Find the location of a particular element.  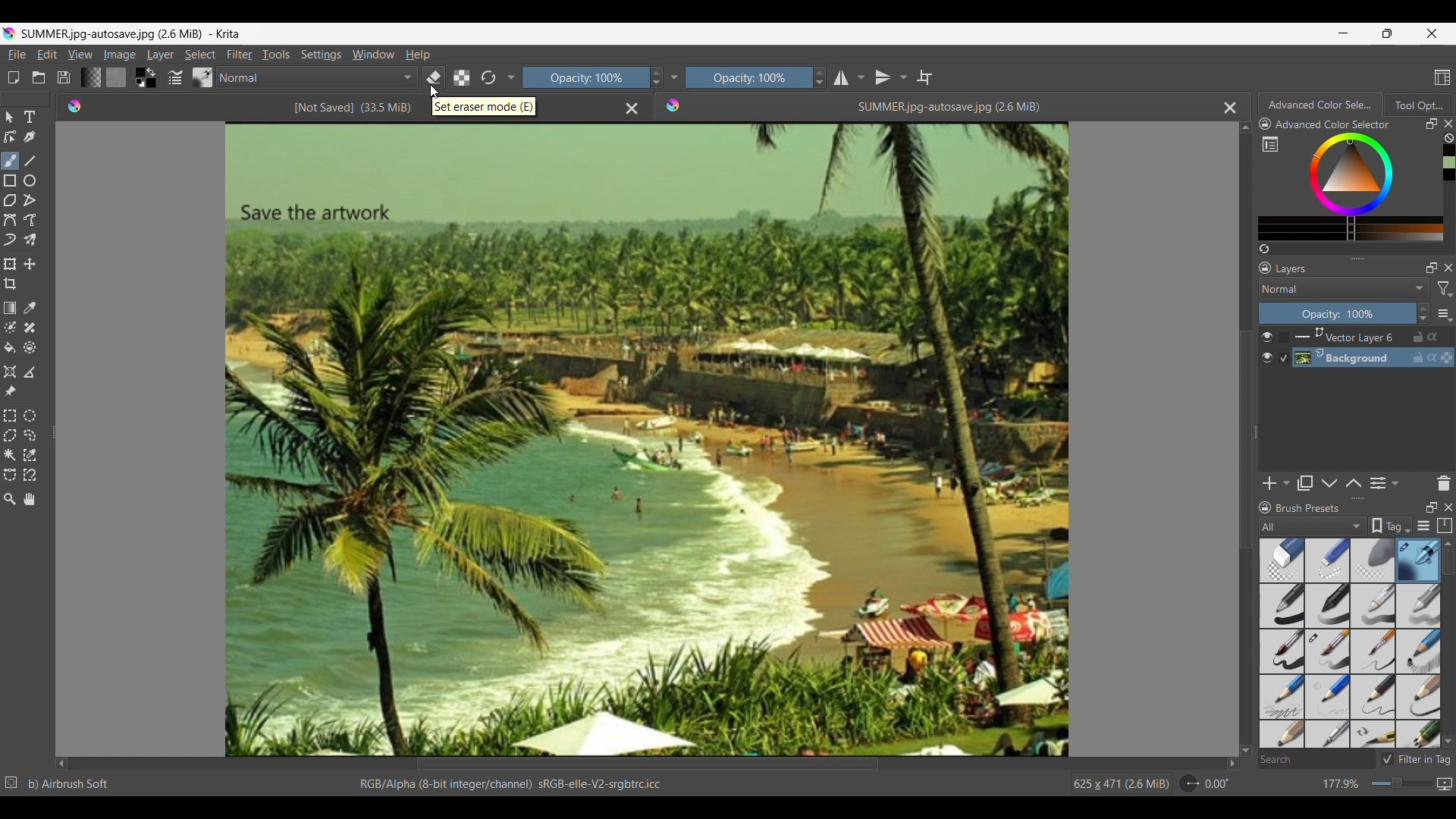

Choose workspace is located at coordinates (1442, 77).